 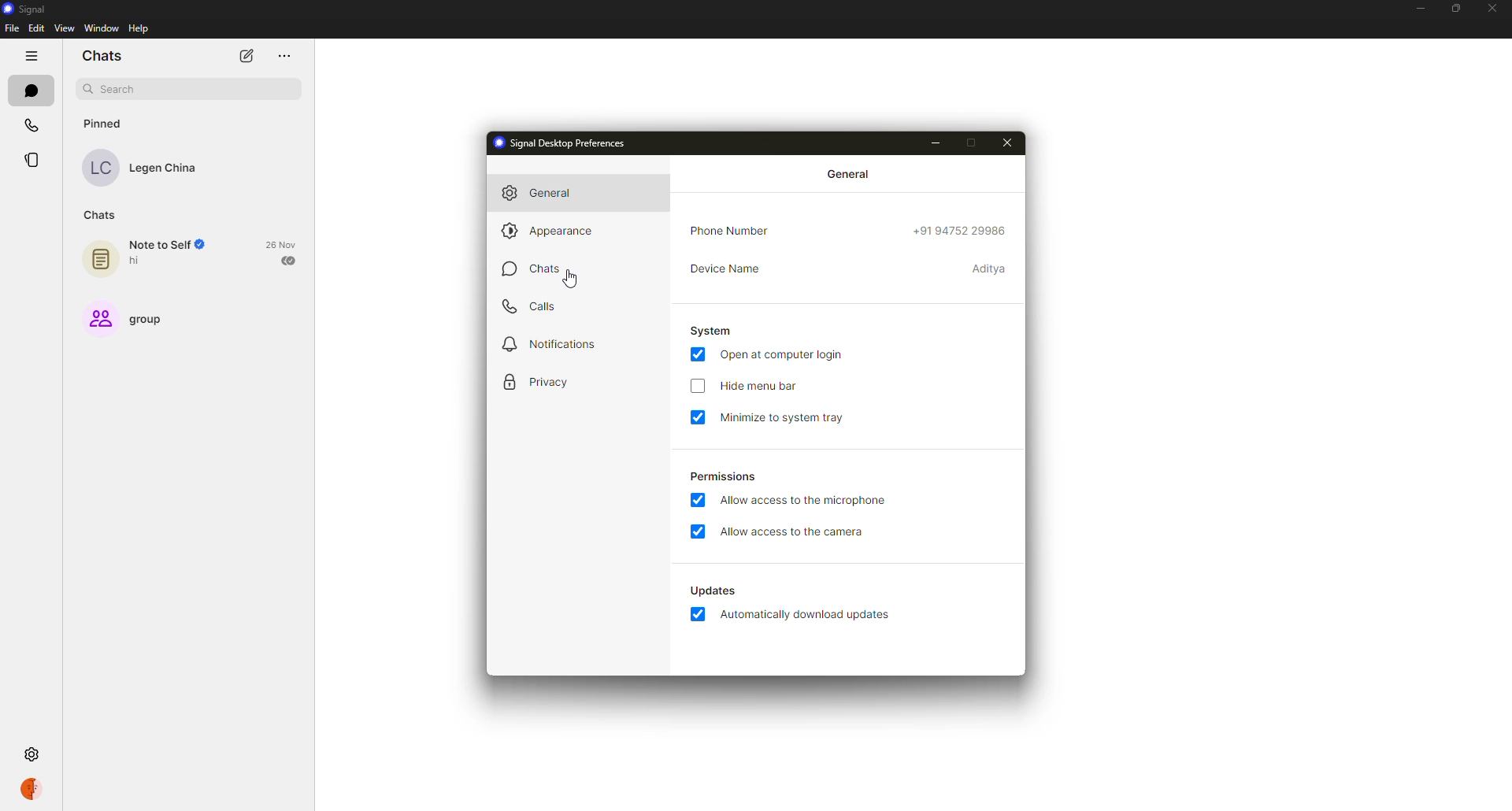 What do you see at coordinates (283, 57) in the screenshot?
I see `more` at bounding box center [283, 57].